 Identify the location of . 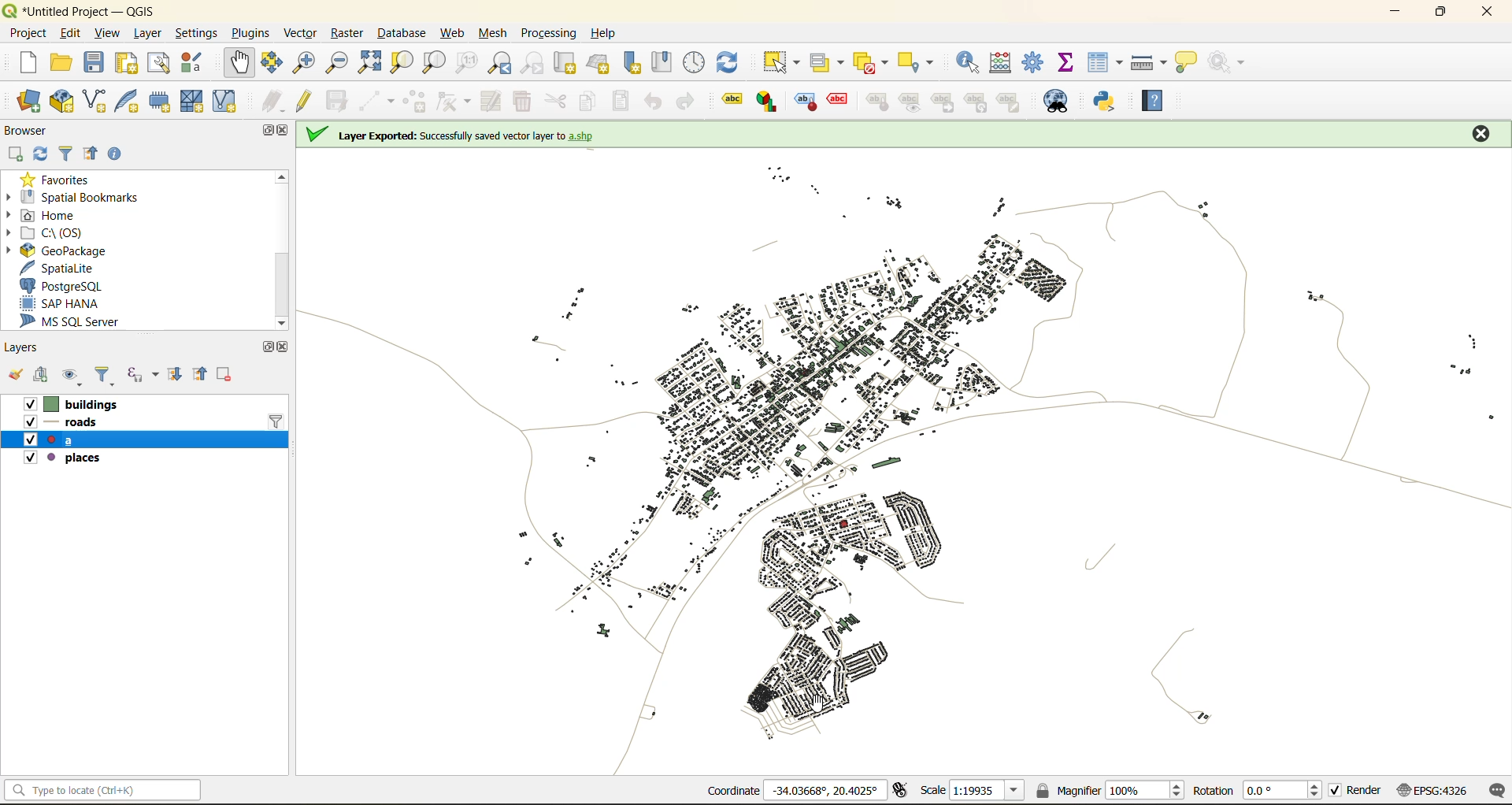
(978, 102).